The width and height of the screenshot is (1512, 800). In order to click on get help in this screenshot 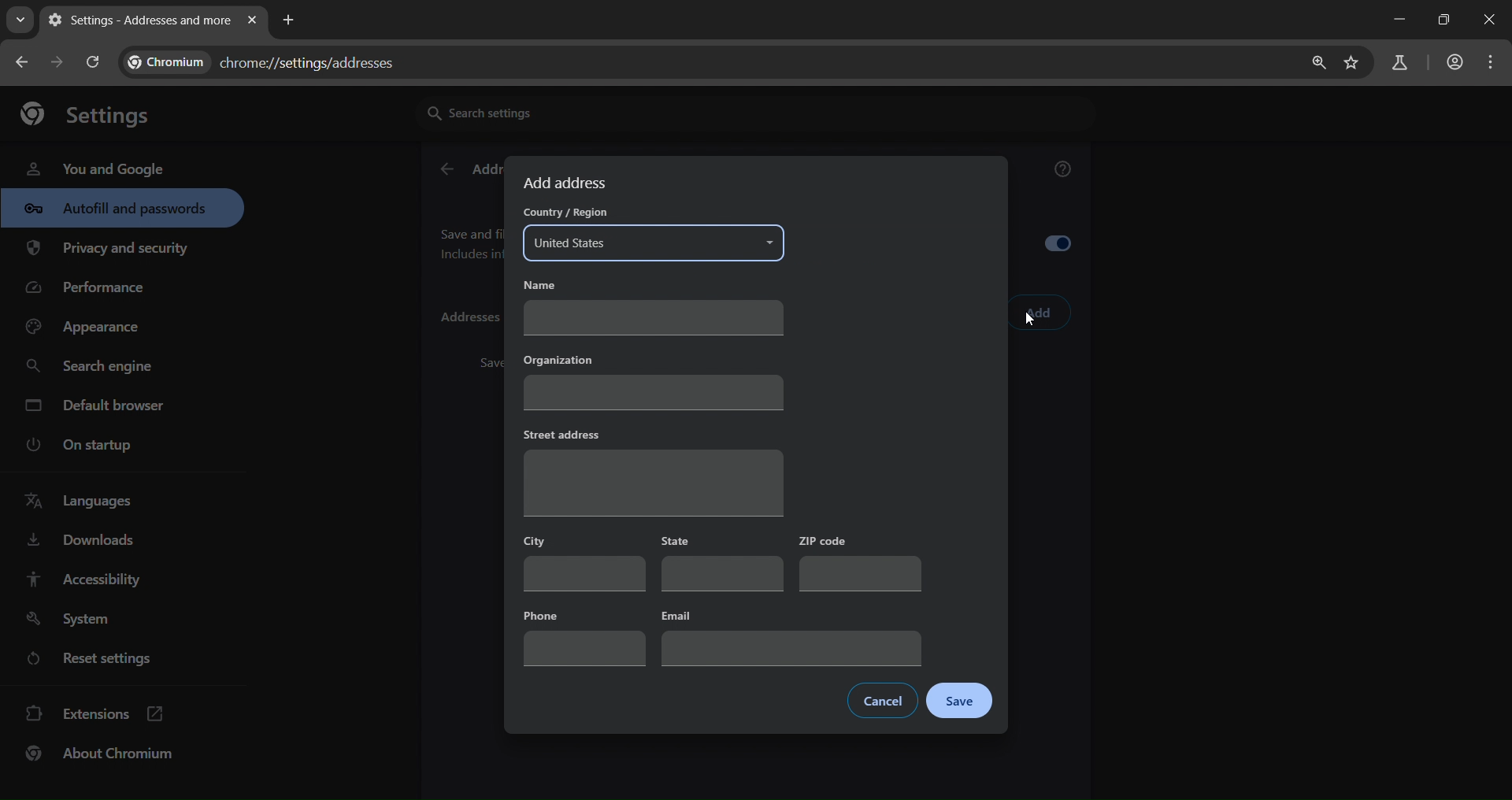, I will do `click(1064, 172)`.